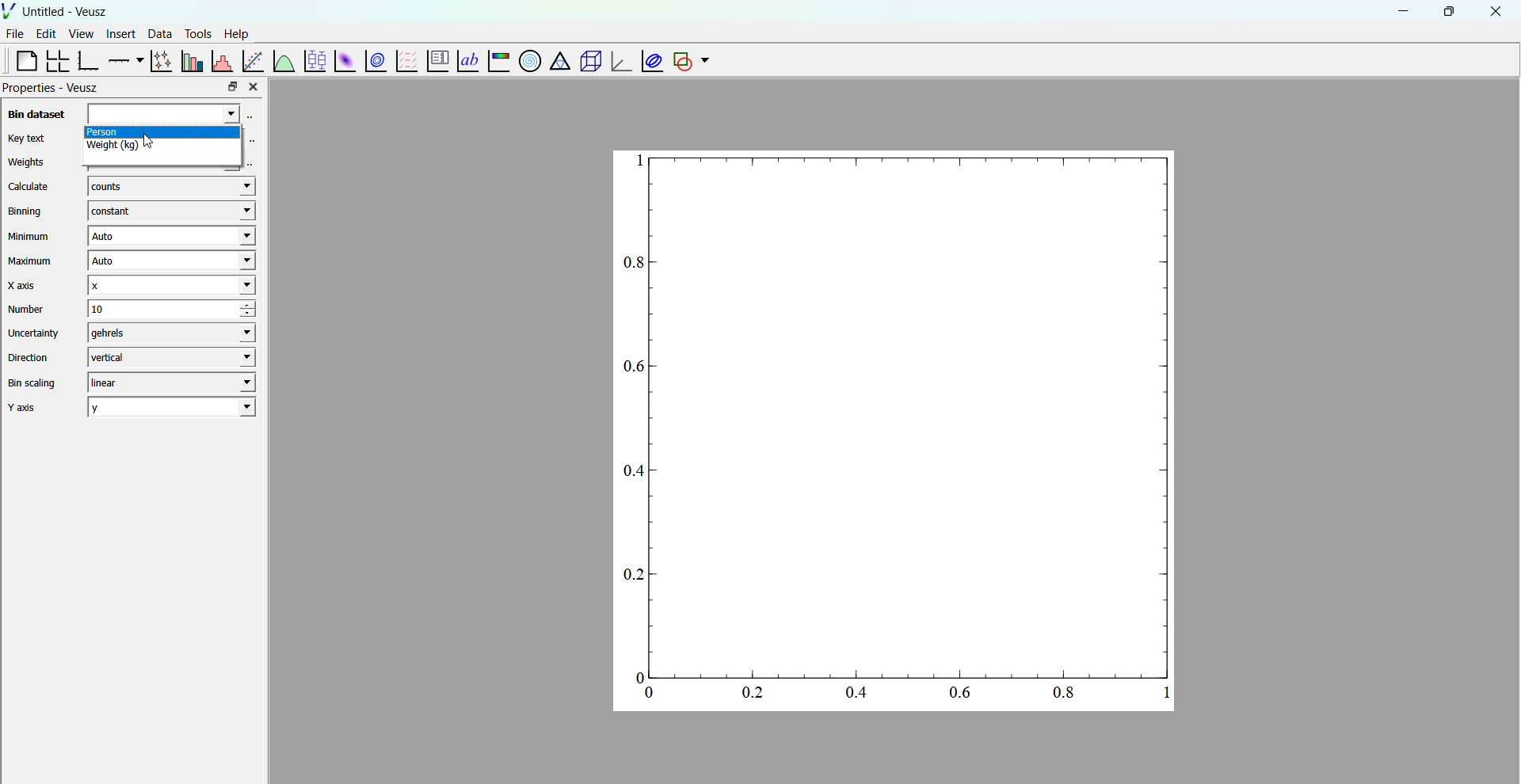 Image resolution: width=1521 pixels, height=784 pixels. What do you see at coordinates (158, 33) in the screenshot?
I see `data` at bounding box center [158, 33].